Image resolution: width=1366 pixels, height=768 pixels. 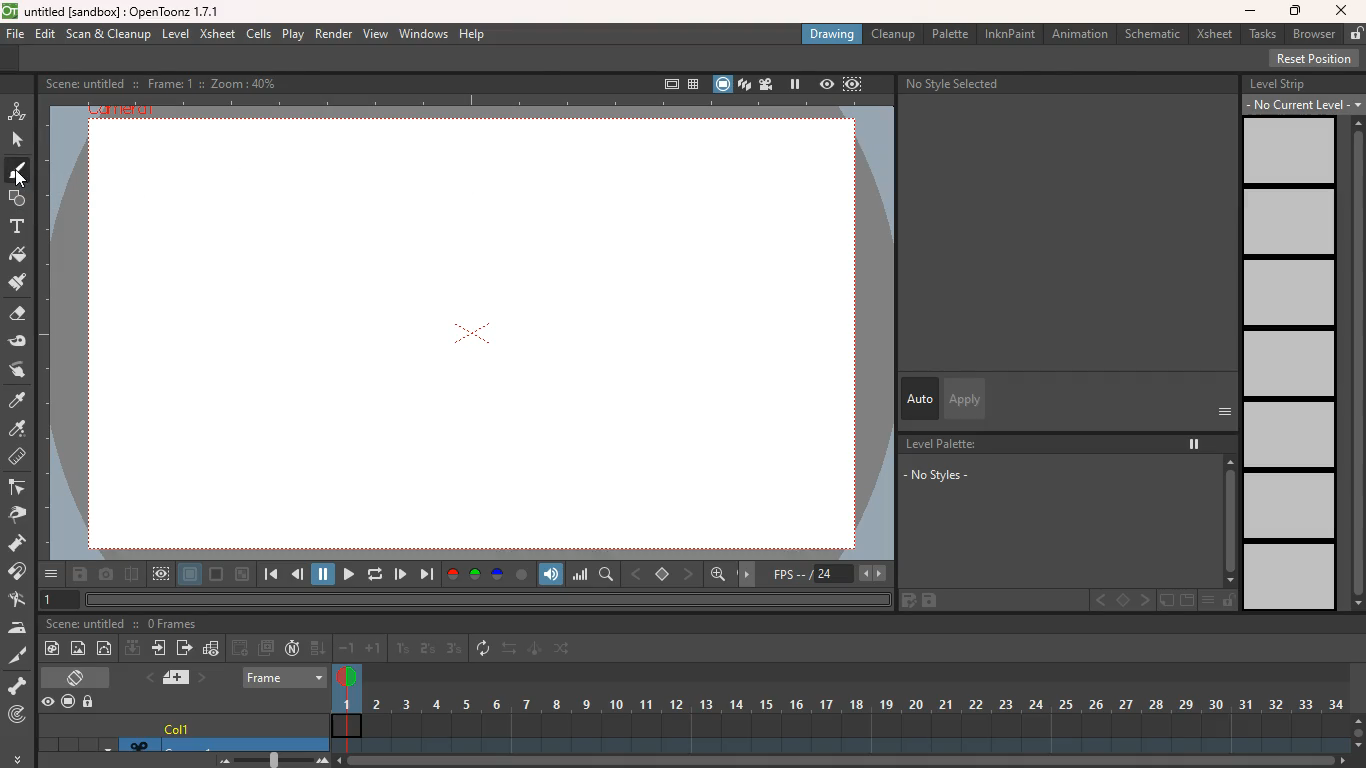 I want to click on fps, so click(x=827, y=574).